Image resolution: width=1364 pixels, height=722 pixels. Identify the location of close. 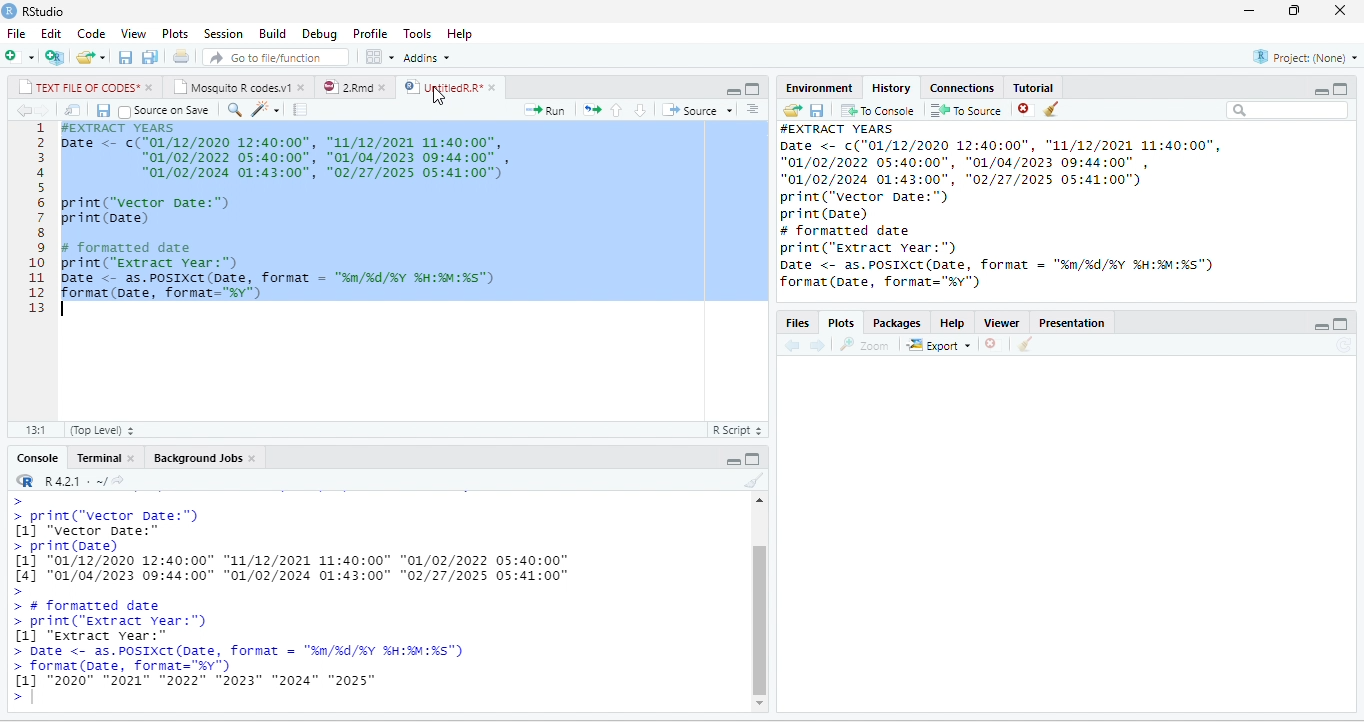
(151, 87).